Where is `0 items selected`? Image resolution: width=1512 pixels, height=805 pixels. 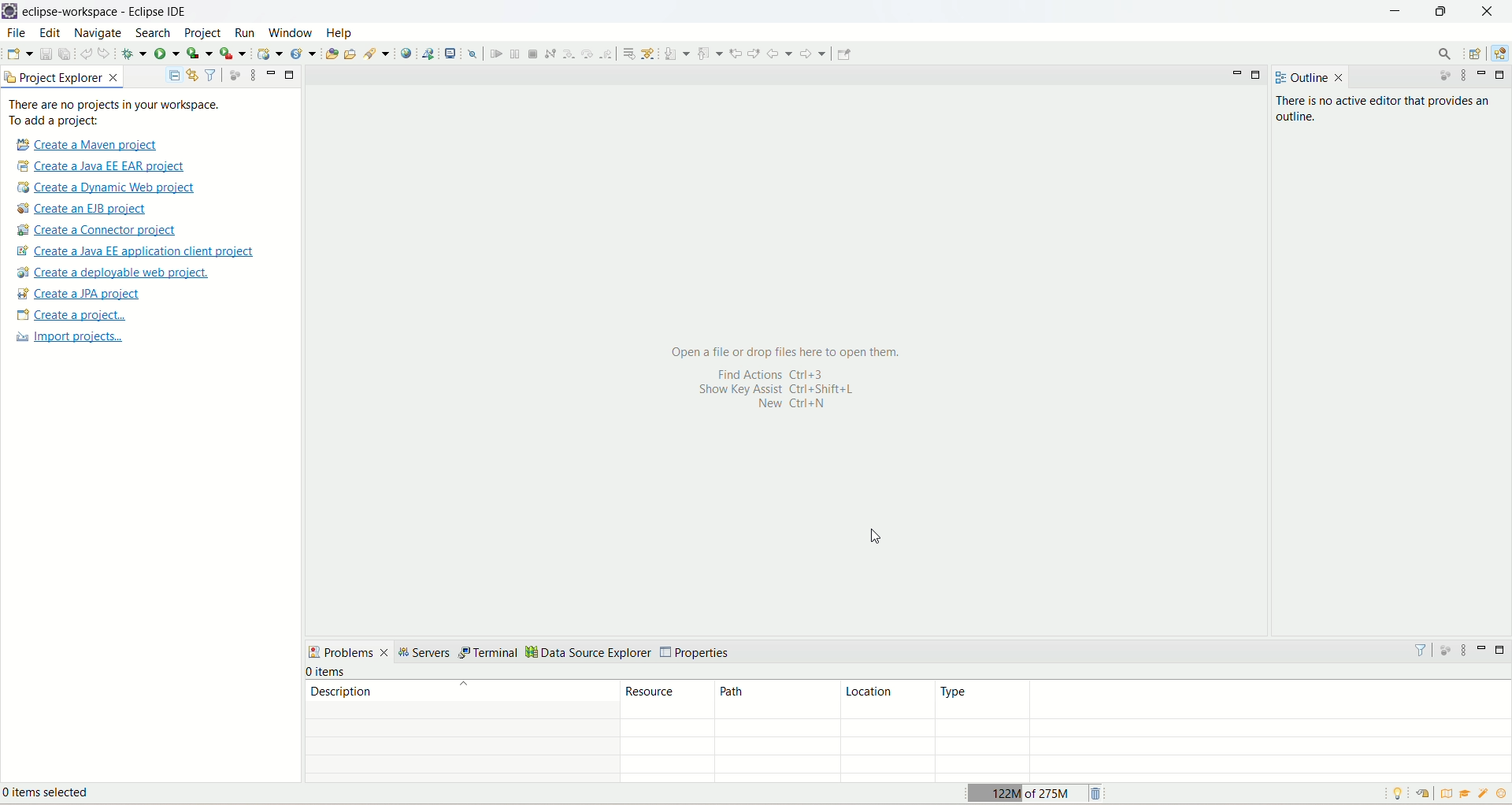
0 items selected is located at coordinates (57, 795).